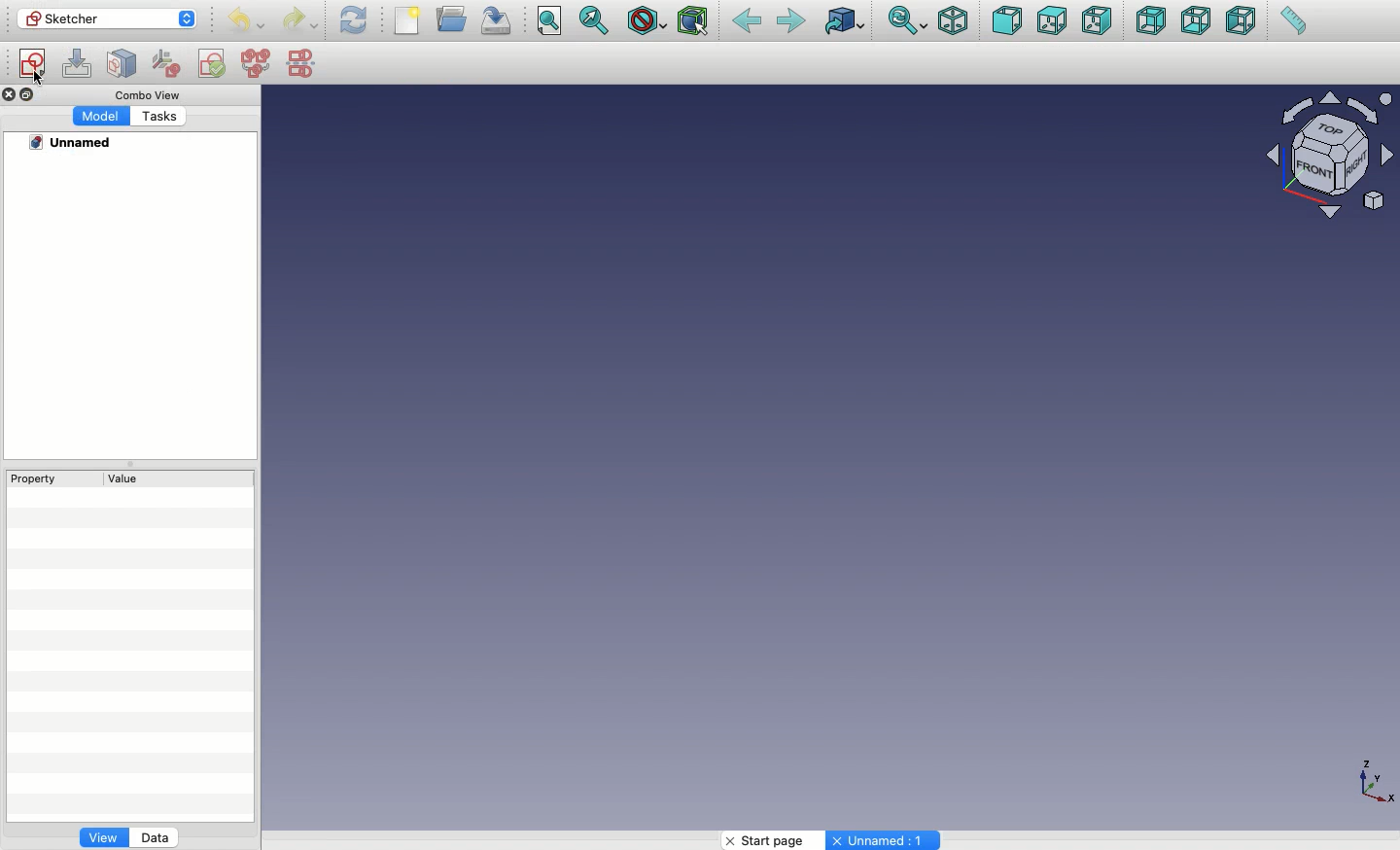 The image size is (1400, 850). What do you see at coordinates (1370, 780) in the screenshot?
I see `` at bounding box center [1370, 780].